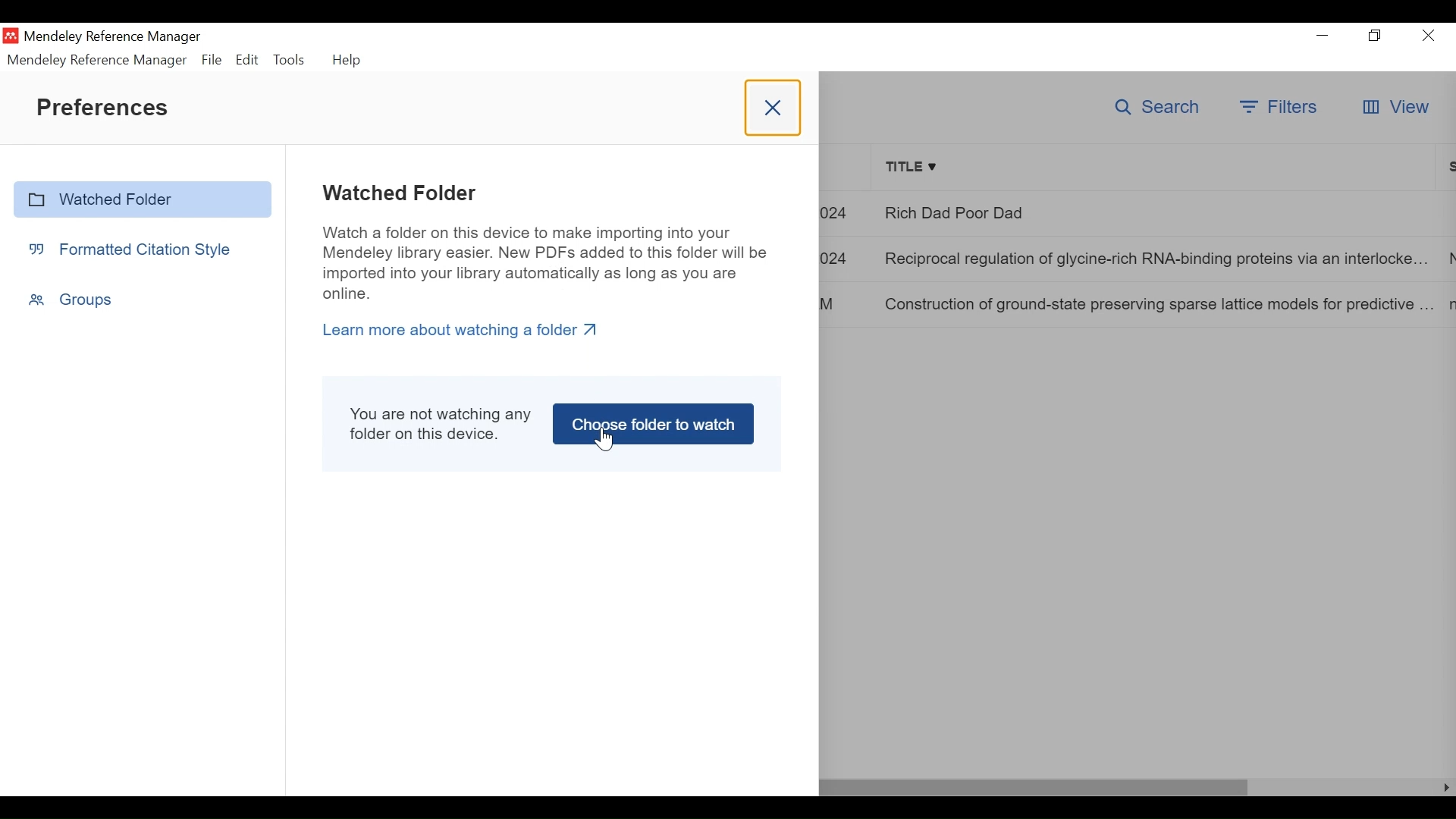 Image resolution: width=1456 pixels, height=819 pixels. Describe the element at coordinates (140, 199) in the screenshot. I see `Watched Folder` at that location.